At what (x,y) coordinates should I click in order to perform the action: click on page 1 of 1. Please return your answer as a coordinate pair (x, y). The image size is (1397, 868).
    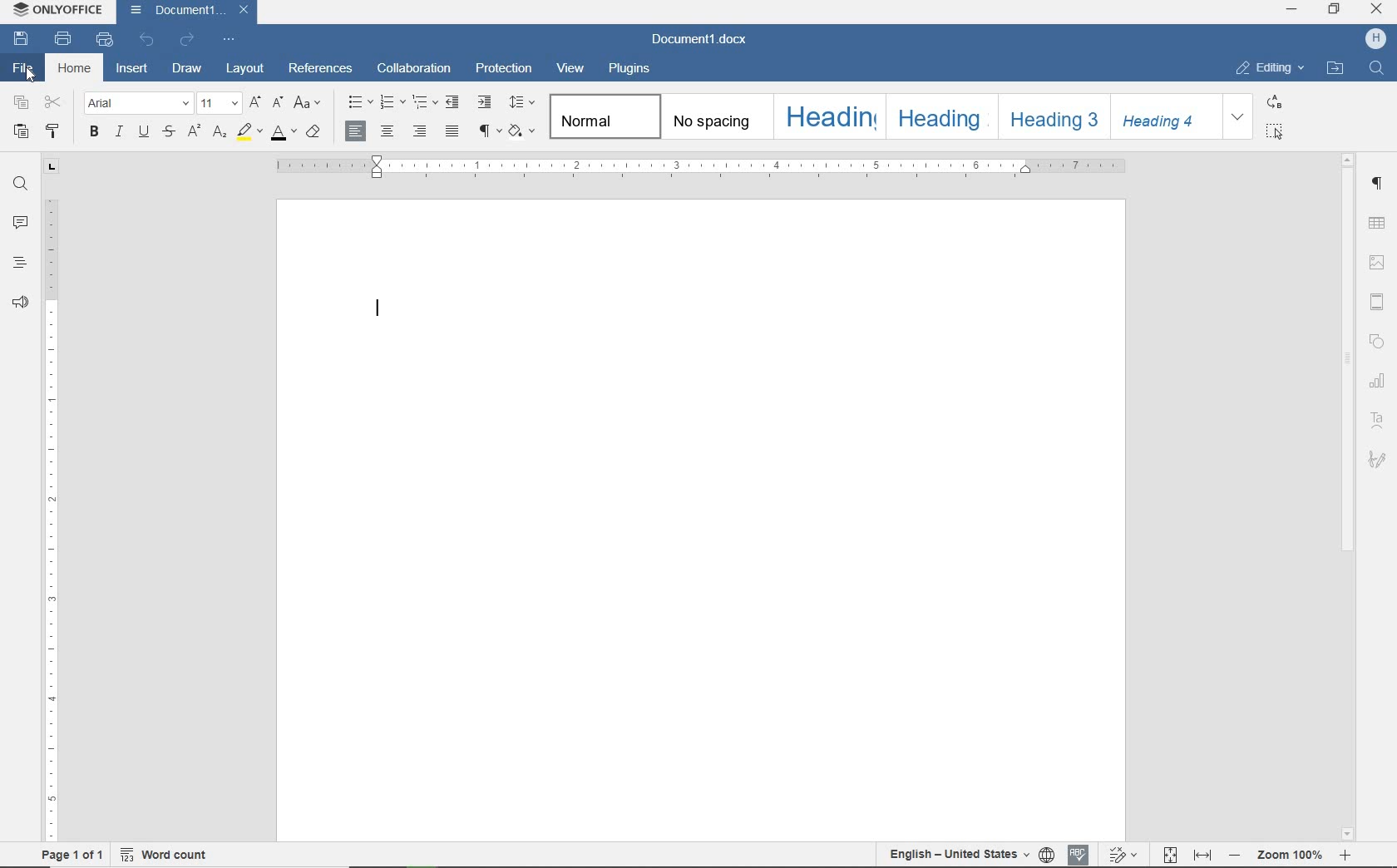
    Looking at the image, I should click on (73, 856).